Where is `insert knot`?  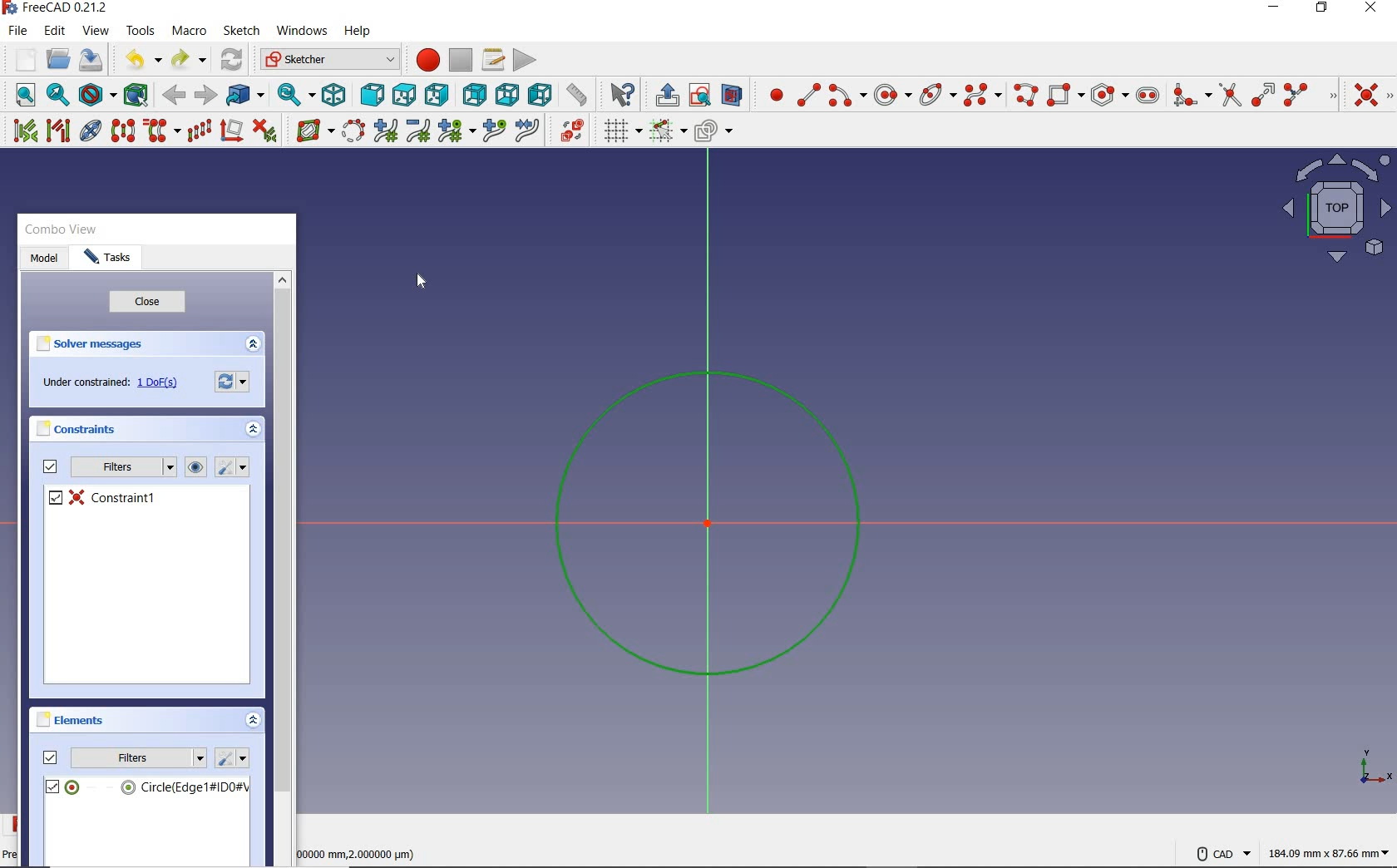 insert knot is located at coordinates (492, 129).